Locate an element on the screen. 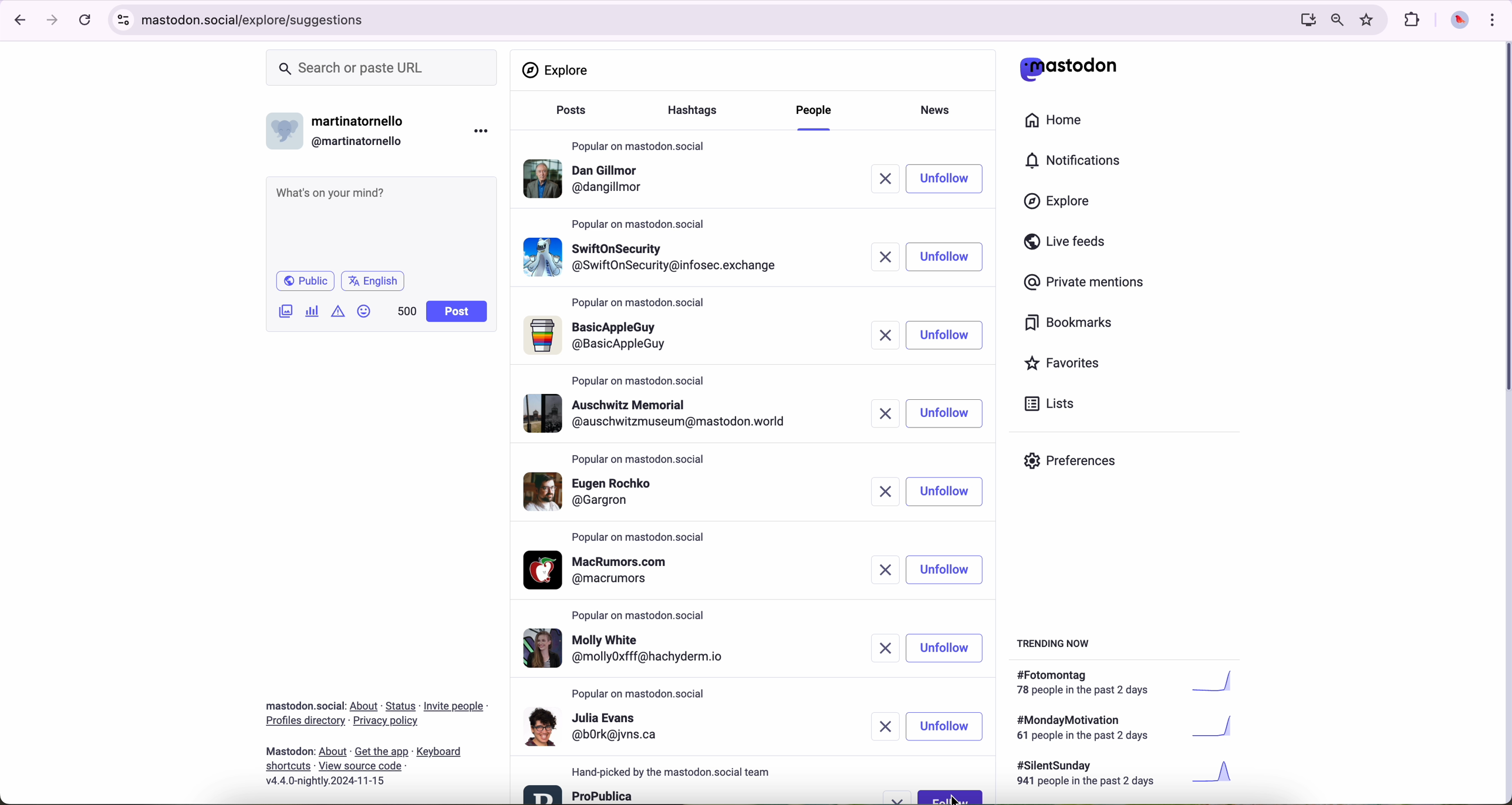 The height and width of the screenshot is (805, 1512). remove is located at coordinates (889, 413).